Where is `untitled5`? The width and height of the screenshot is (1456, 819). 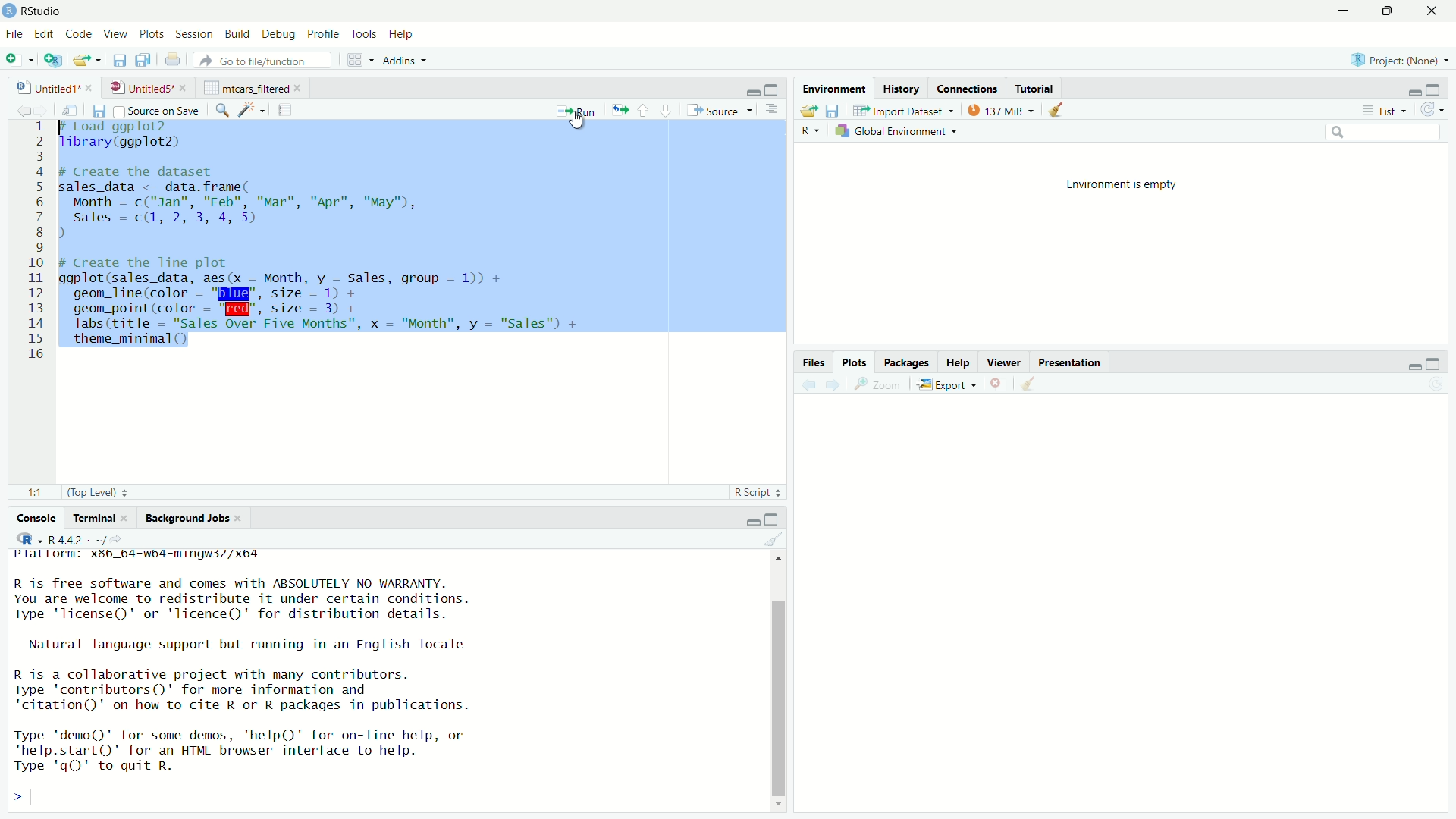
untitled5 is located at coordinates (140, 88).